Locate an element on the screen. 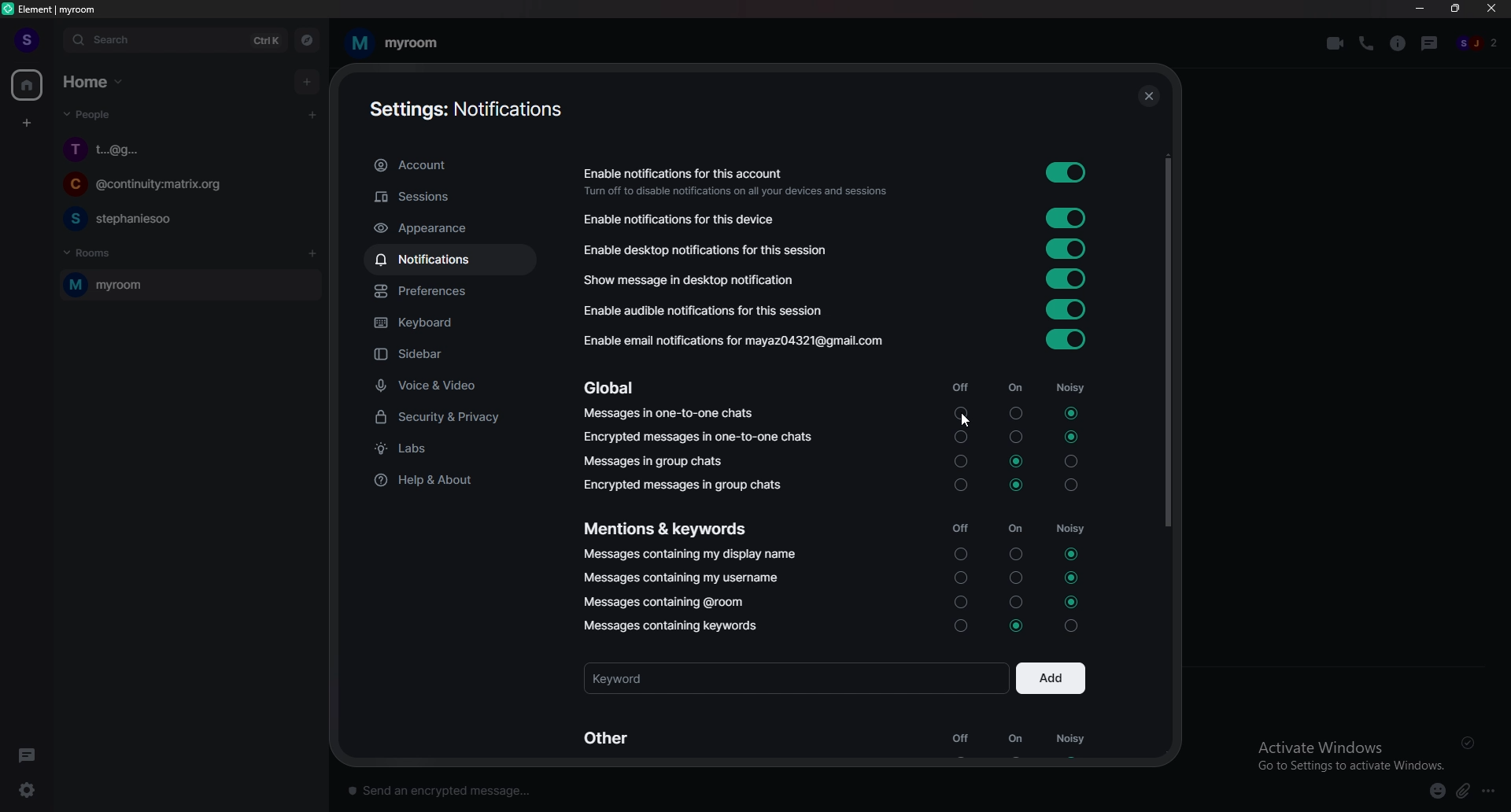  off is located at coordinates (959, 739).